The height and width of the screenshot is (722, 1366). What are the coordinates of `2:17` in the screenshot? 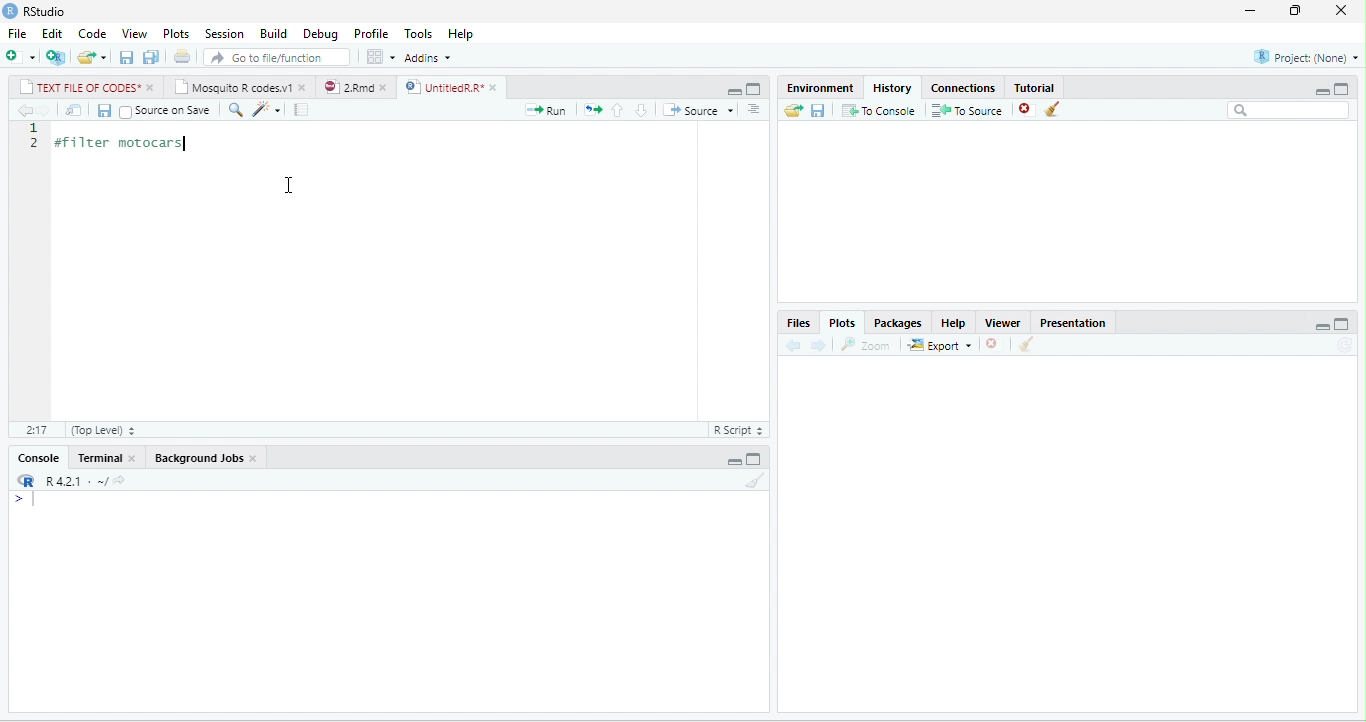 It's located at (37, 430).